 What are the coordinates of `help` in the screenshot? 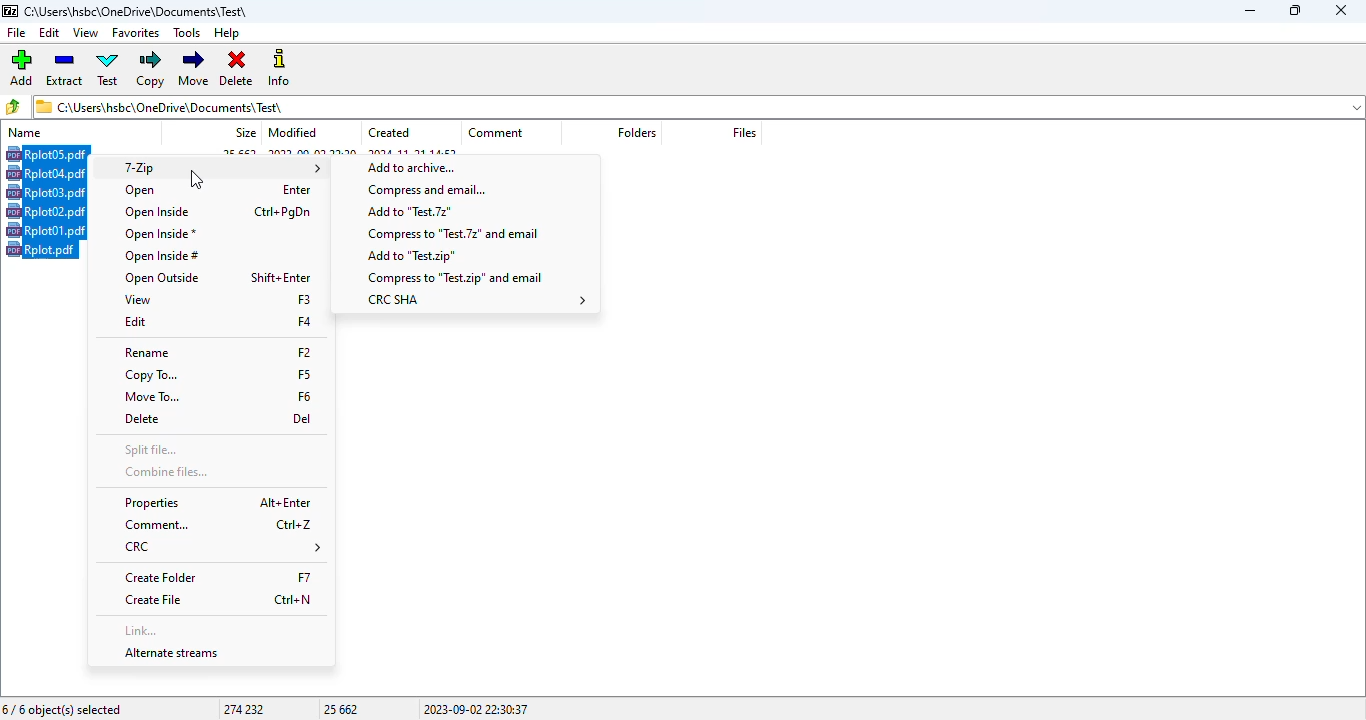 It's located at (227, 33).